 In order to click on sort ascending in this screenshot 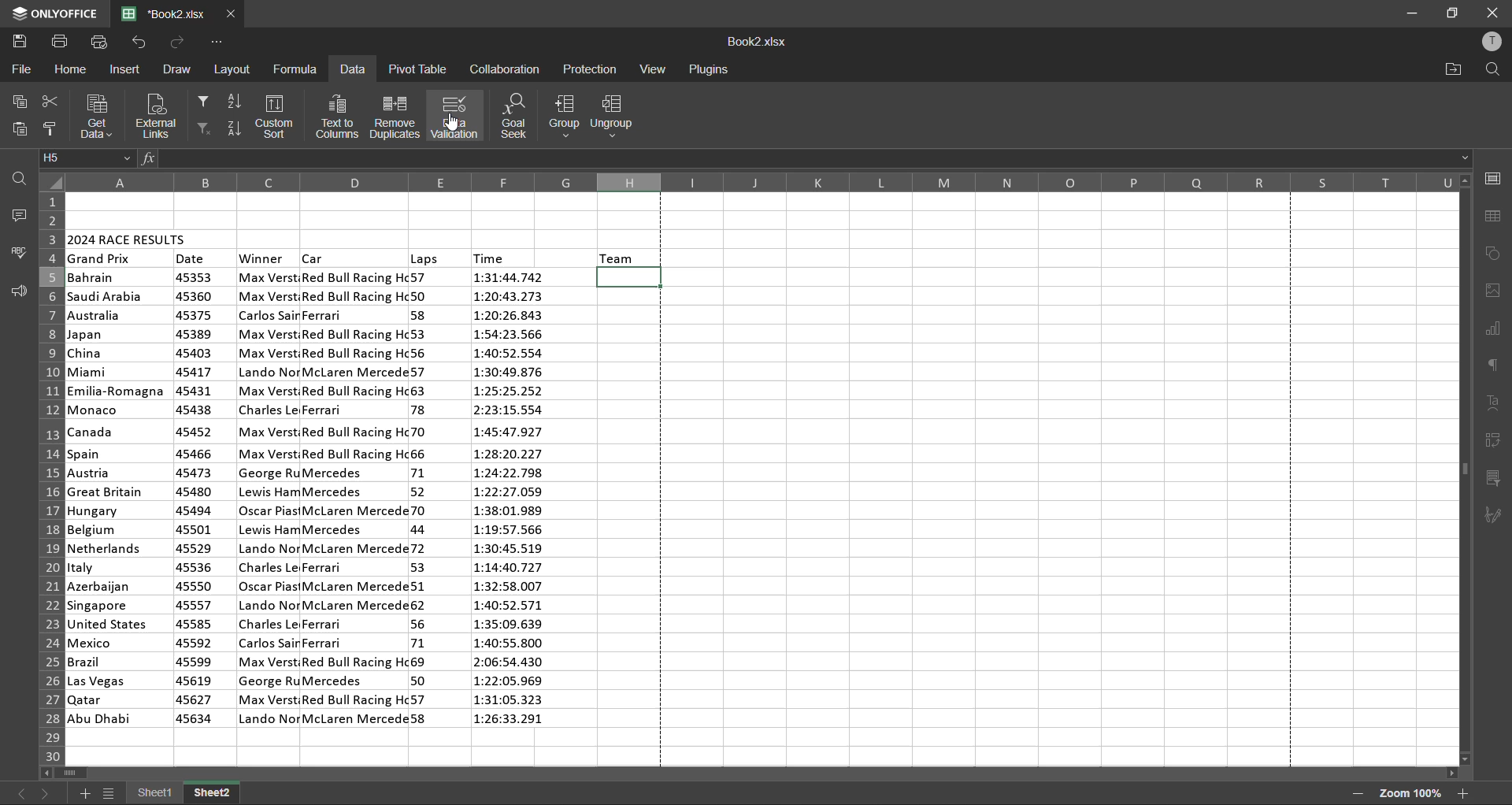, I will do `click(232, 102)`.